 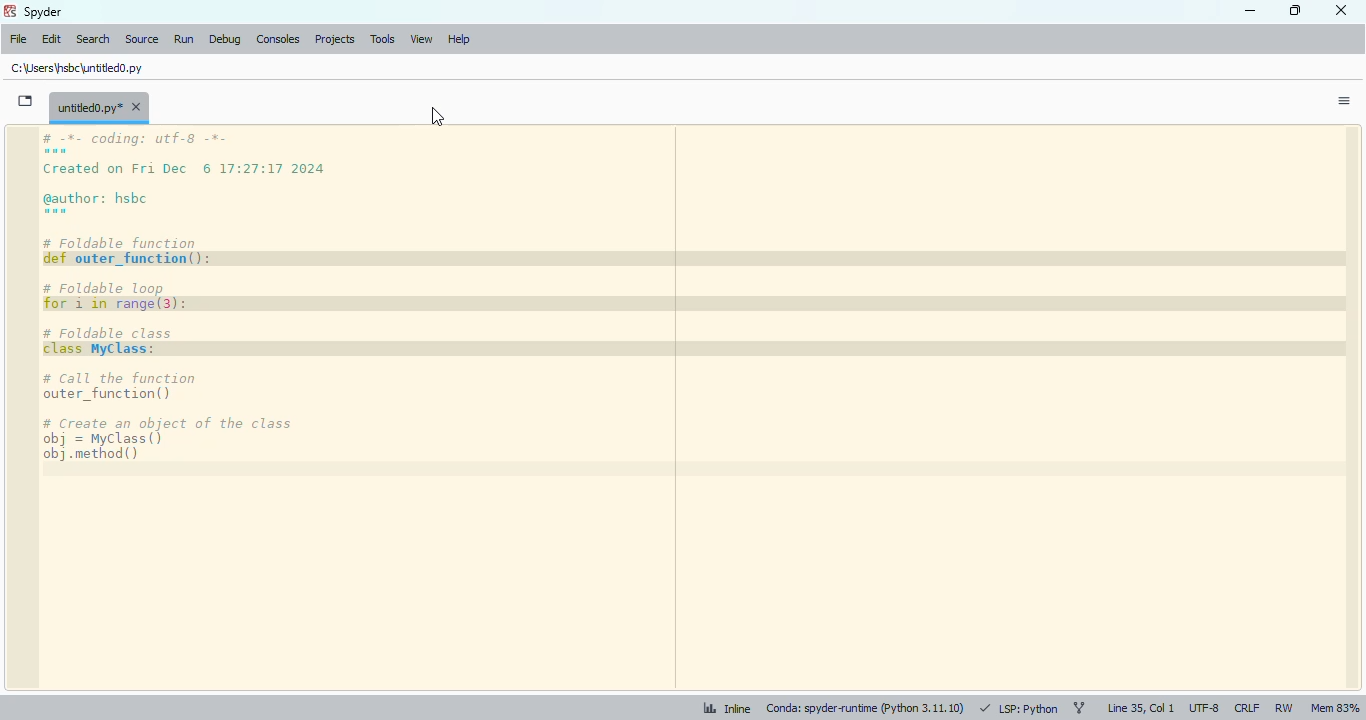 What do you see at coordinates (1344, 101) in the screenshot?
I see `options` at bounding box center [1344, 101].